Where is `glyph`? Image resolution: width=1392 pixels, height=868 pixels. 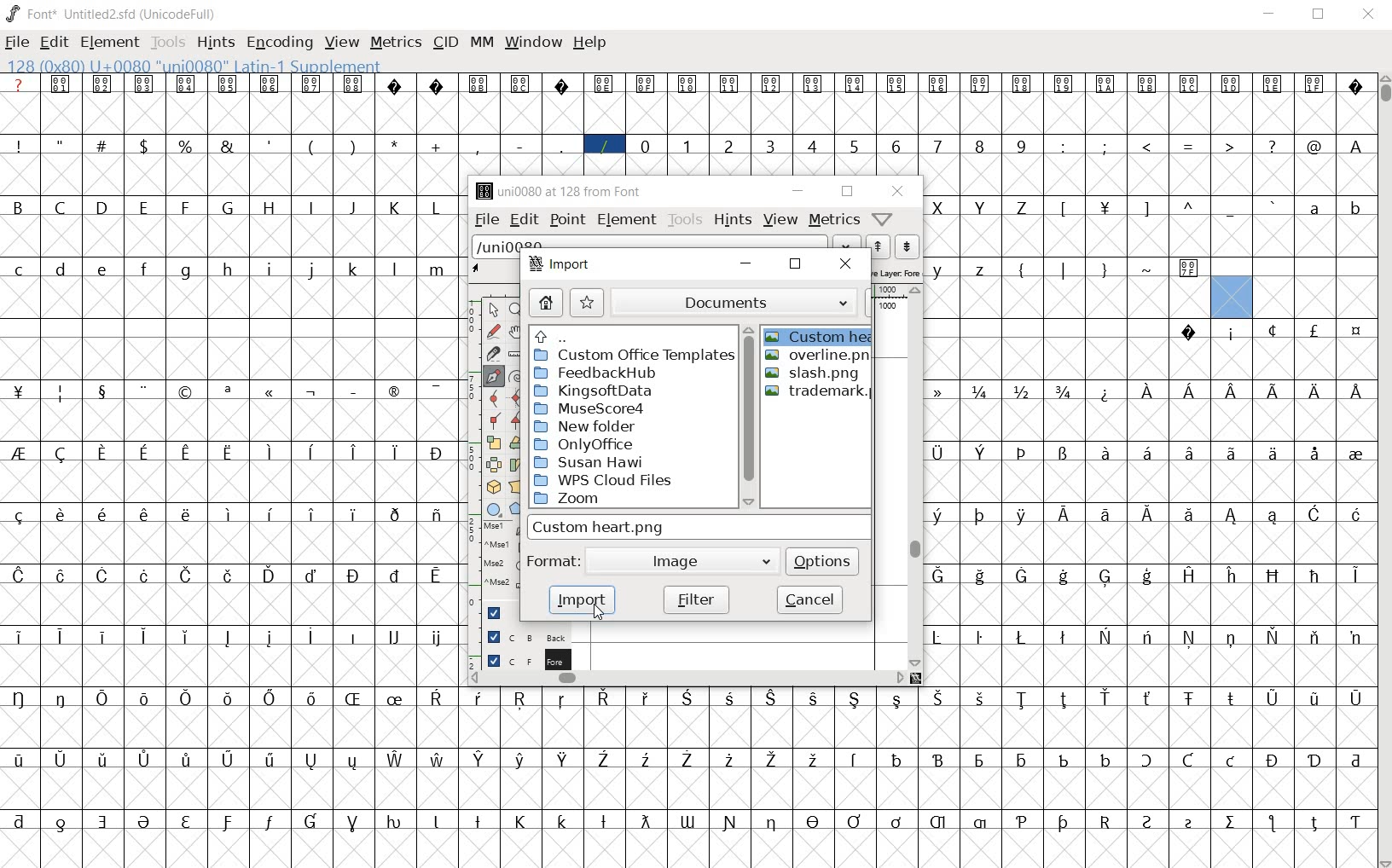 glyph is located at coordinates (353, 824).